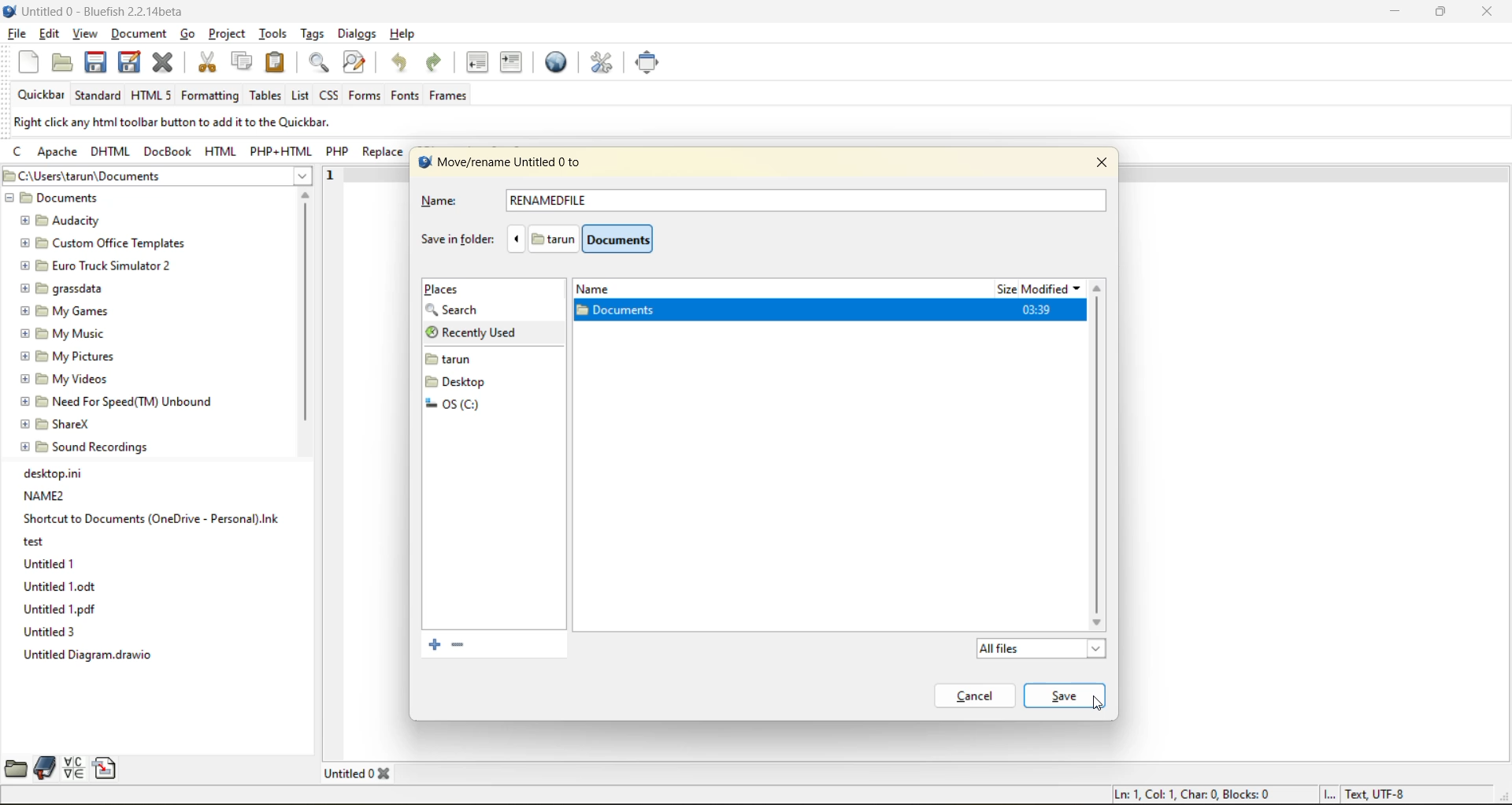 This screenshot has width=1512, height=805. What do you see at coordinates (284, 153) in the screenshot?
I see `php html` at bounding box center [284, 153].